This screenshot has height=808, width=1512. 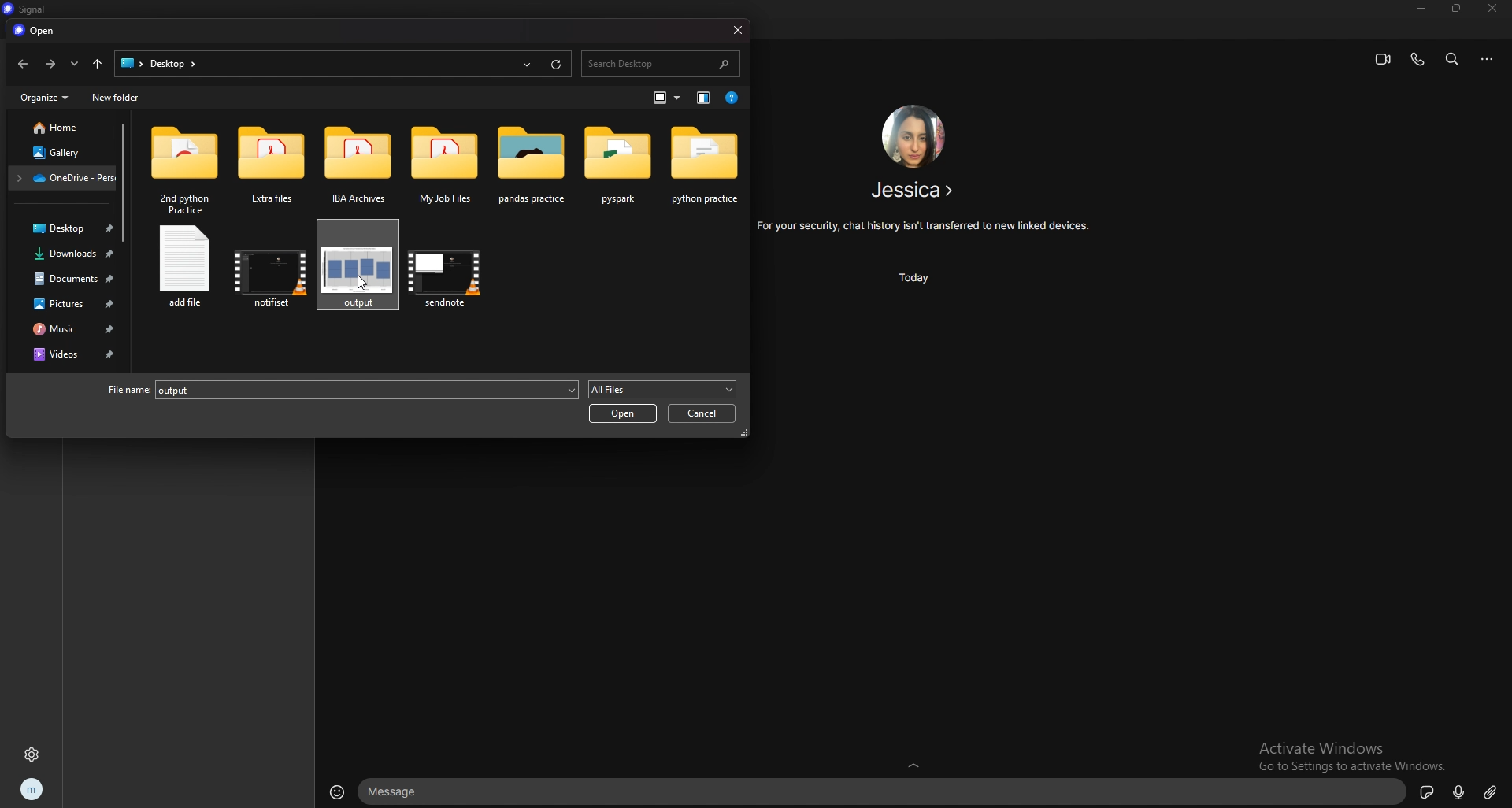 What do you see at coordinates (925, 227) in the screenshot?
I see `info` at bounding box center [925, 227].